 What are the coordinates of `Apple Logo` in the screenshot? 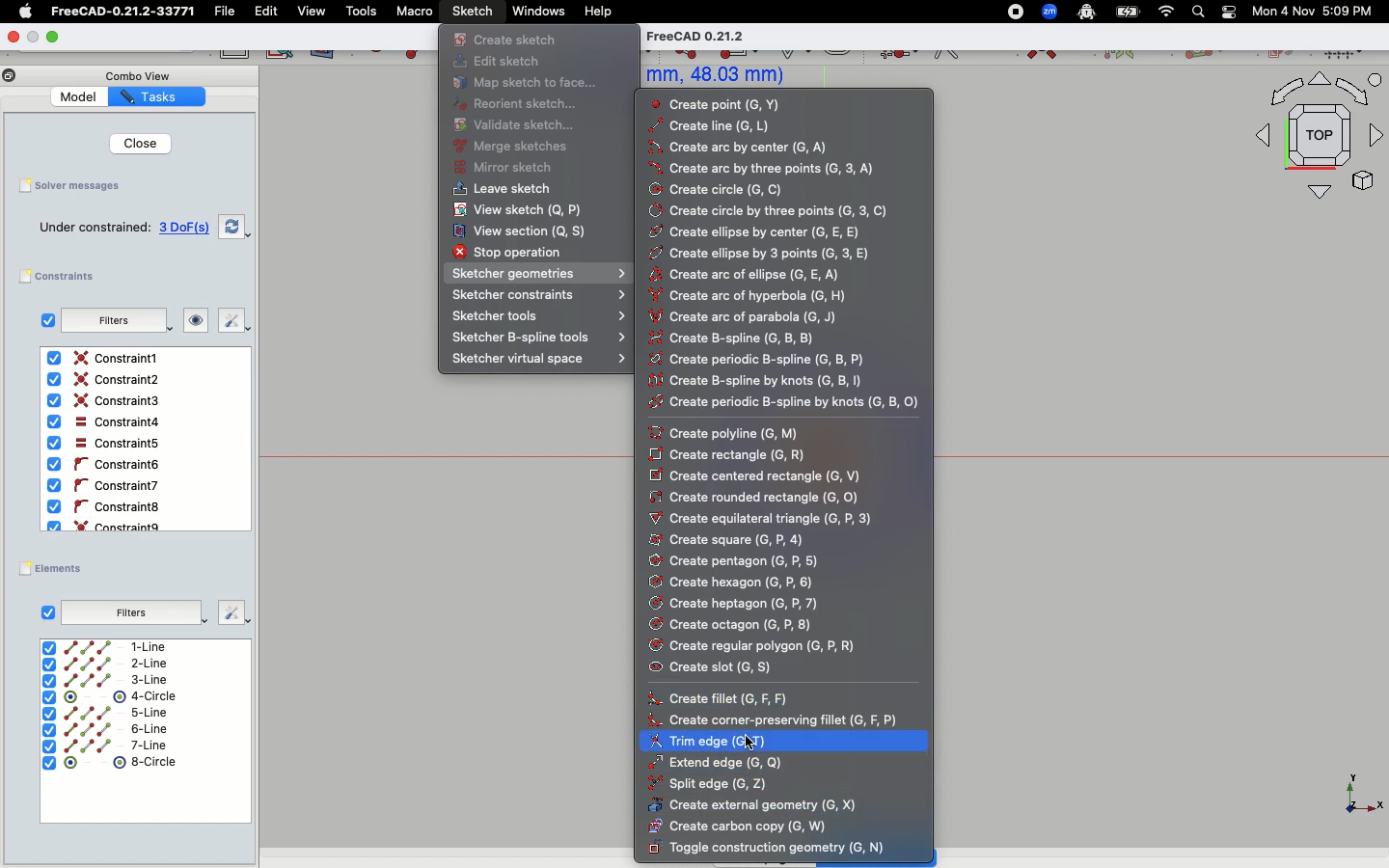 It's located at (23, 12).